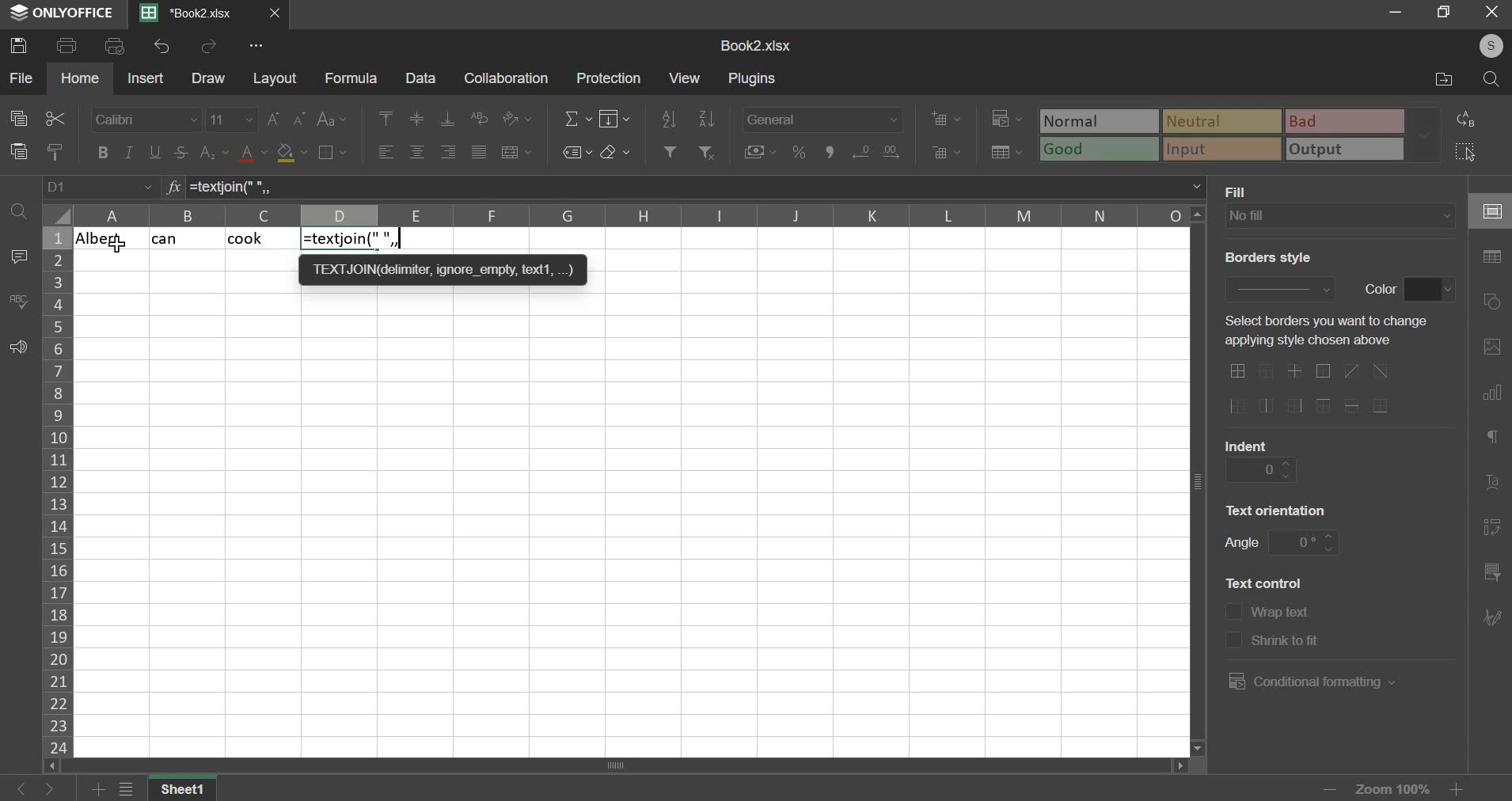 This screenshot has width=1512, height=801. What do you see at coordinates (56, 491) in the screenshot?
I see `column` at bounding box center [56, 491].